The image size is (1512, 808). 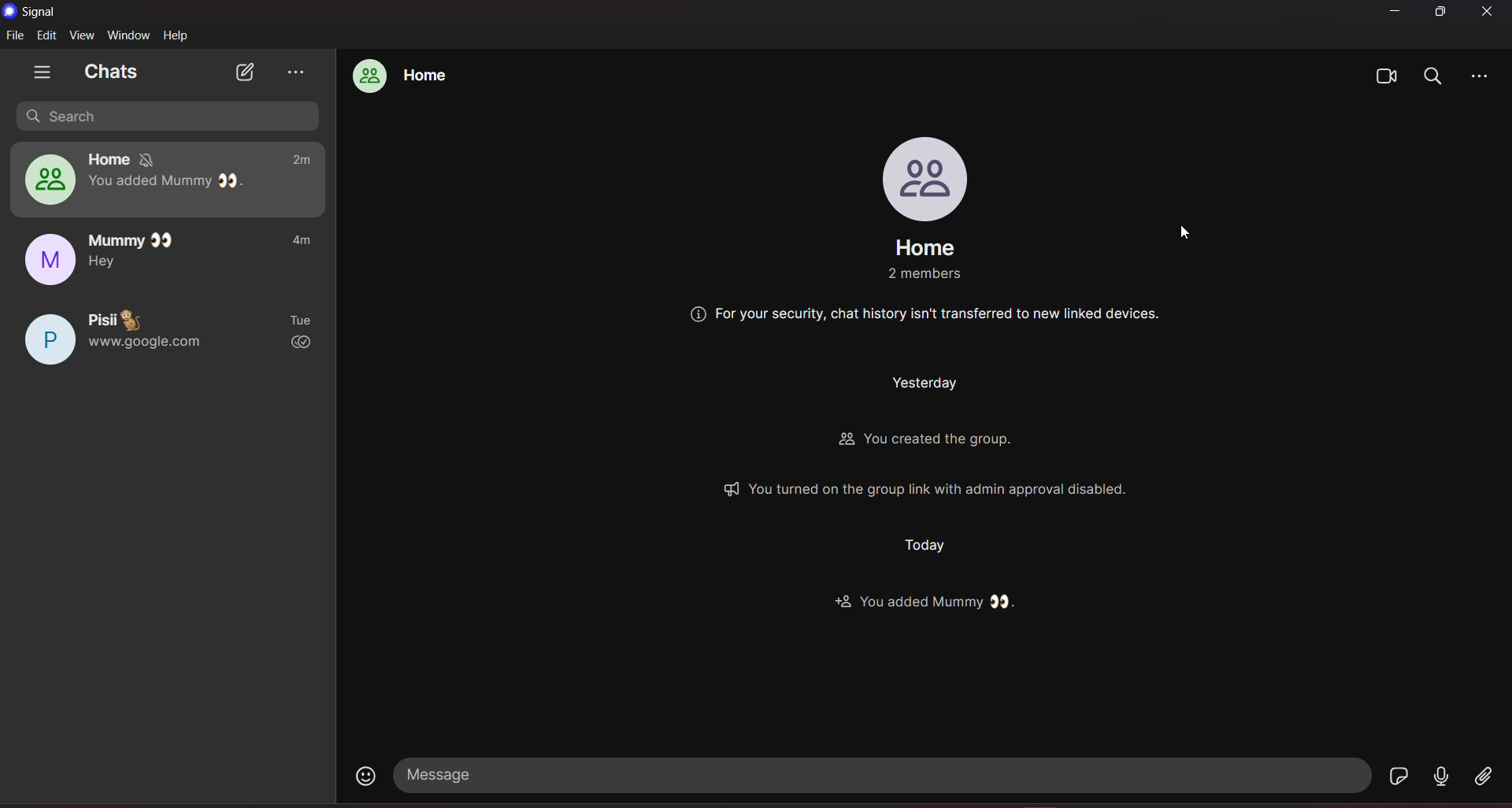 I want to click on maximize, so click(x=1442, y=14).